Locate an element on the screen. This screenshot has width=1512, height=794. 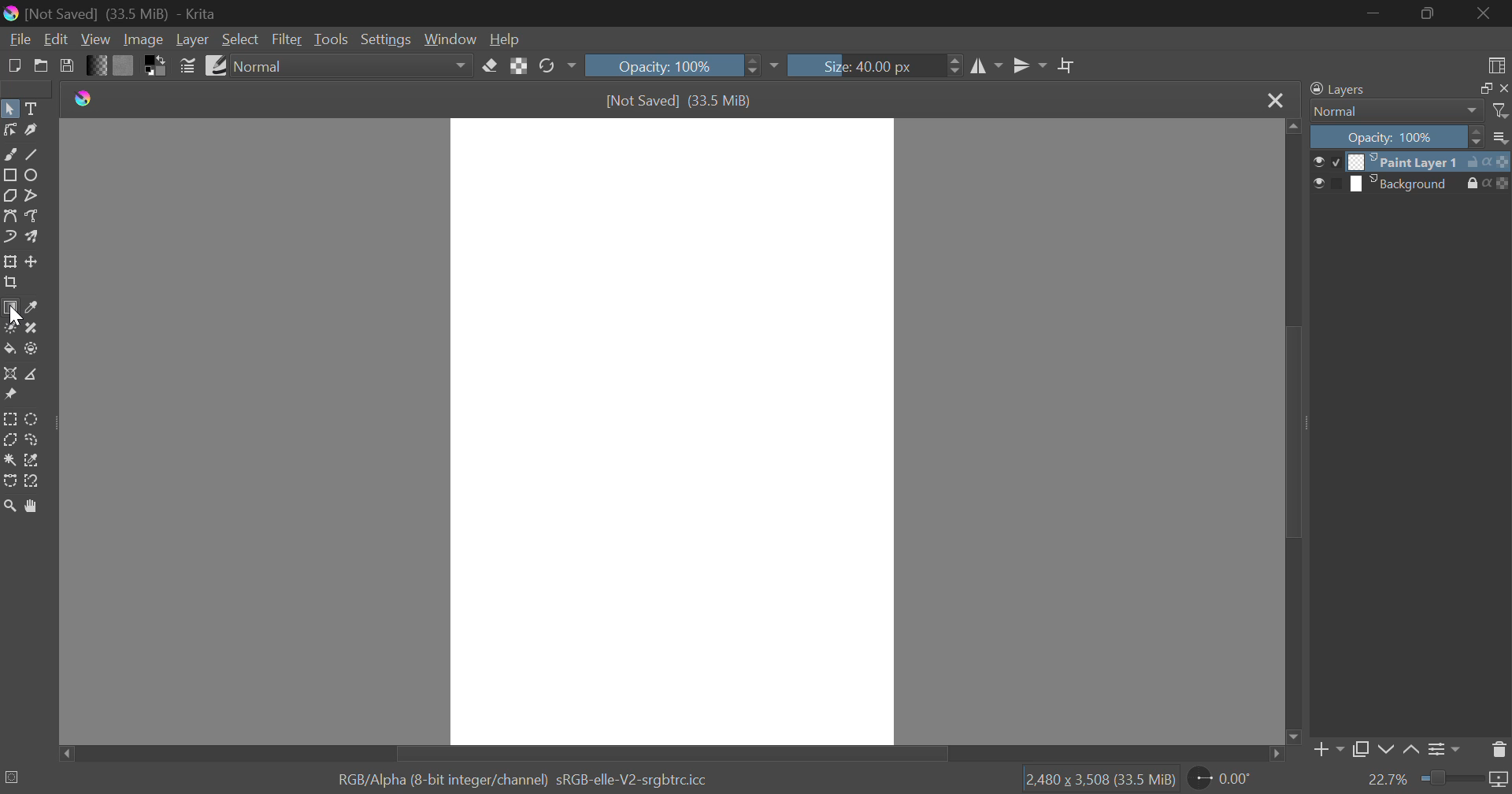
Line is located at coordinates (32, 153).